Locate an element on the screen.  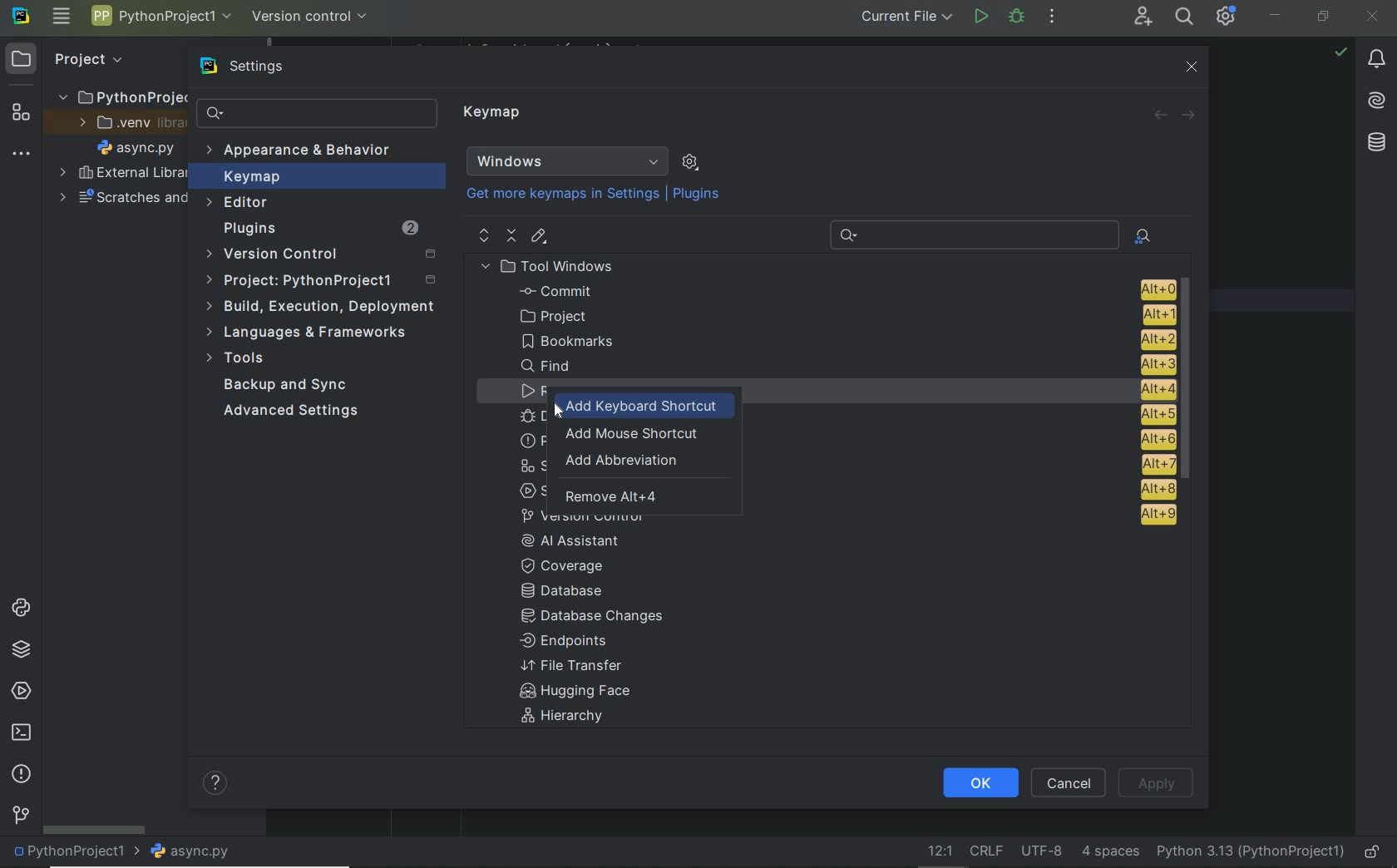
go to line is located at coordinates (937, 852).